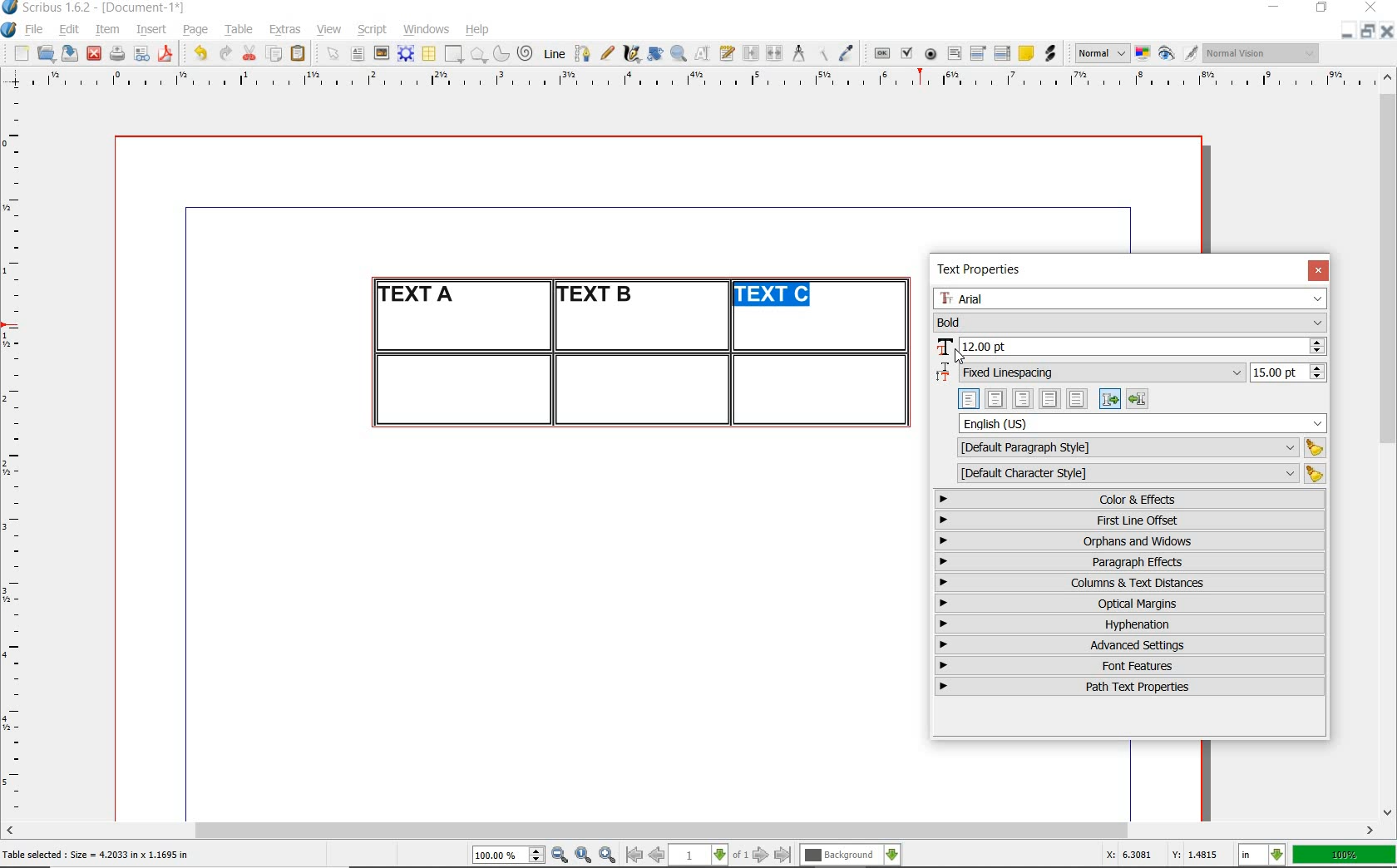 This screenshot has width=1397, height=868. What do you see at coordinates (476, 31) in the screenshot?
I see `help` at bounding box center [476, 31].